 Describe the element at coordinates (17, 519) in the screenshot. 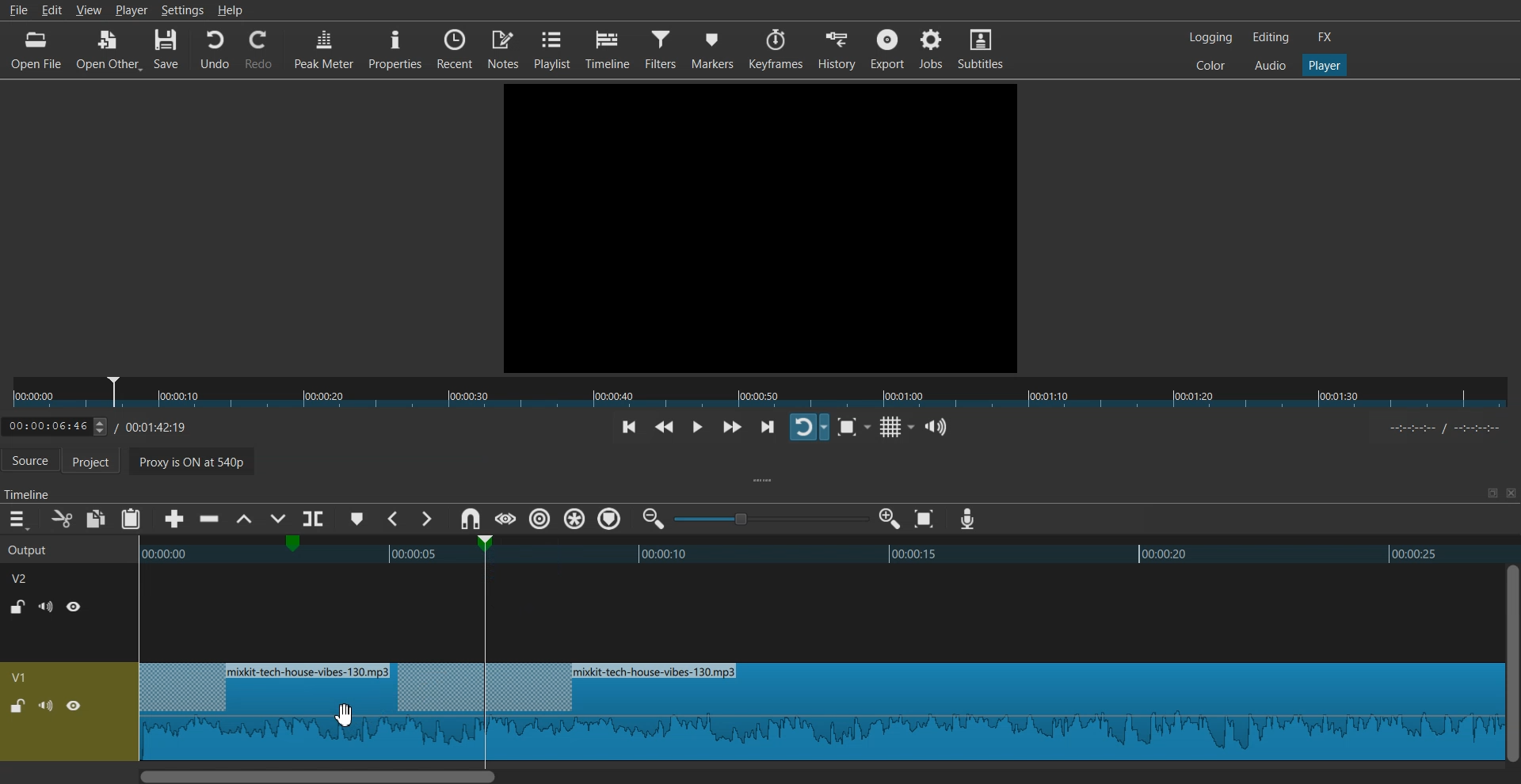

I see `Hamburger menu` at that location.